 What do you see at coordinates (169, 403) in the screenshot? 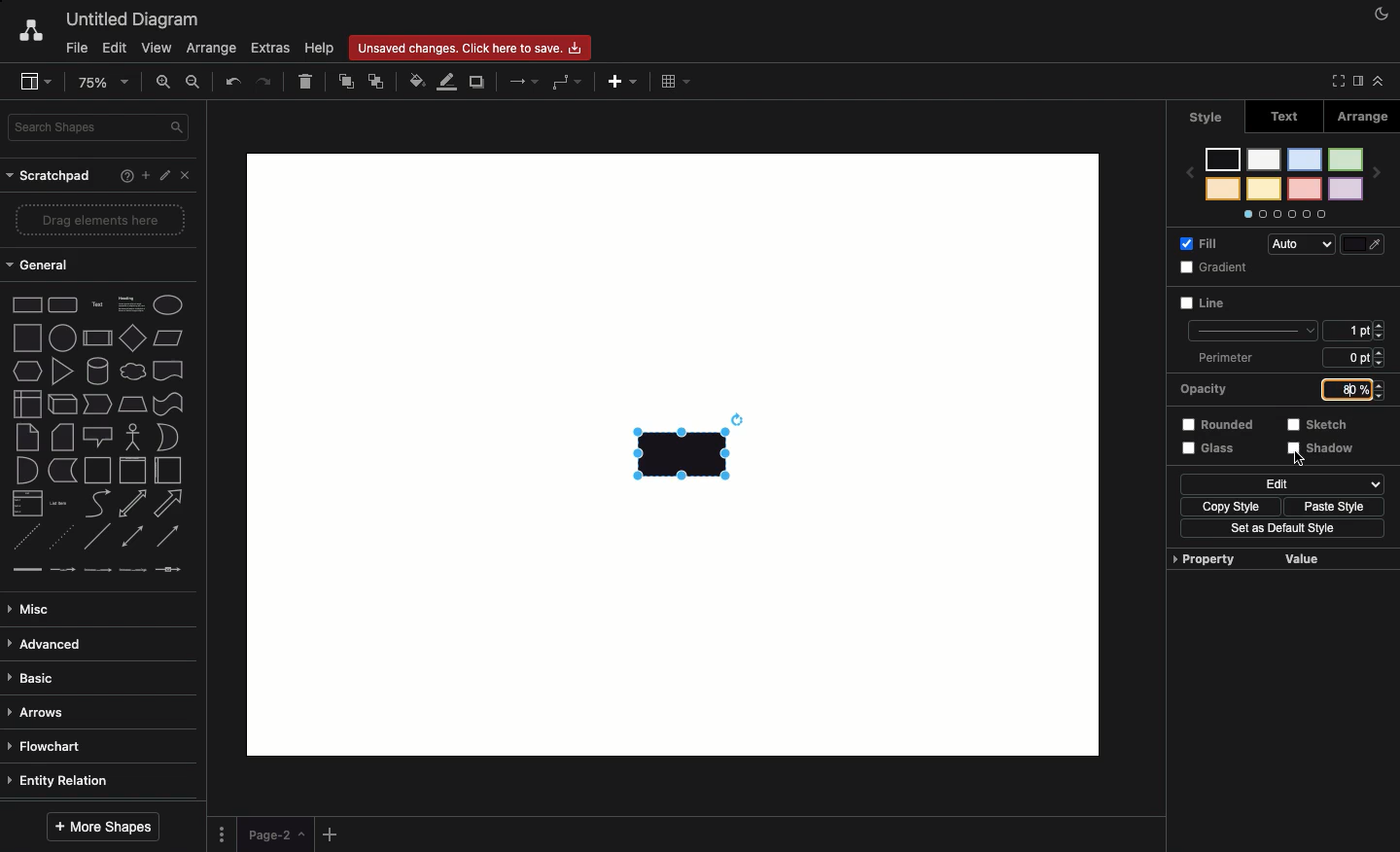
I see `tape` at bounding box center [169, 403].